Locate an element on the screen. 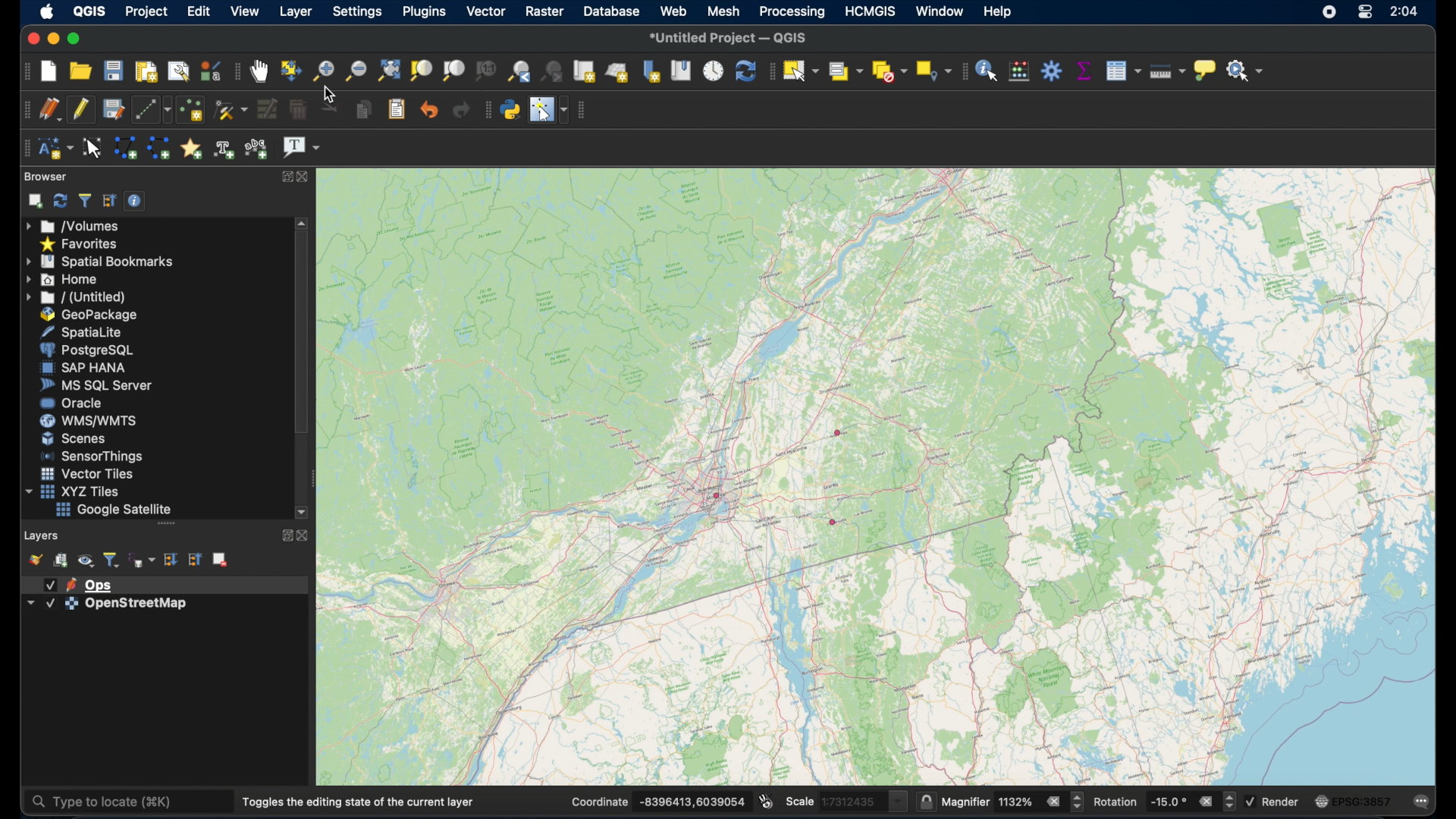 Image resolution: width=1456 pixels, height=819 pixels. scroll box is located at coordinates (303, 335).